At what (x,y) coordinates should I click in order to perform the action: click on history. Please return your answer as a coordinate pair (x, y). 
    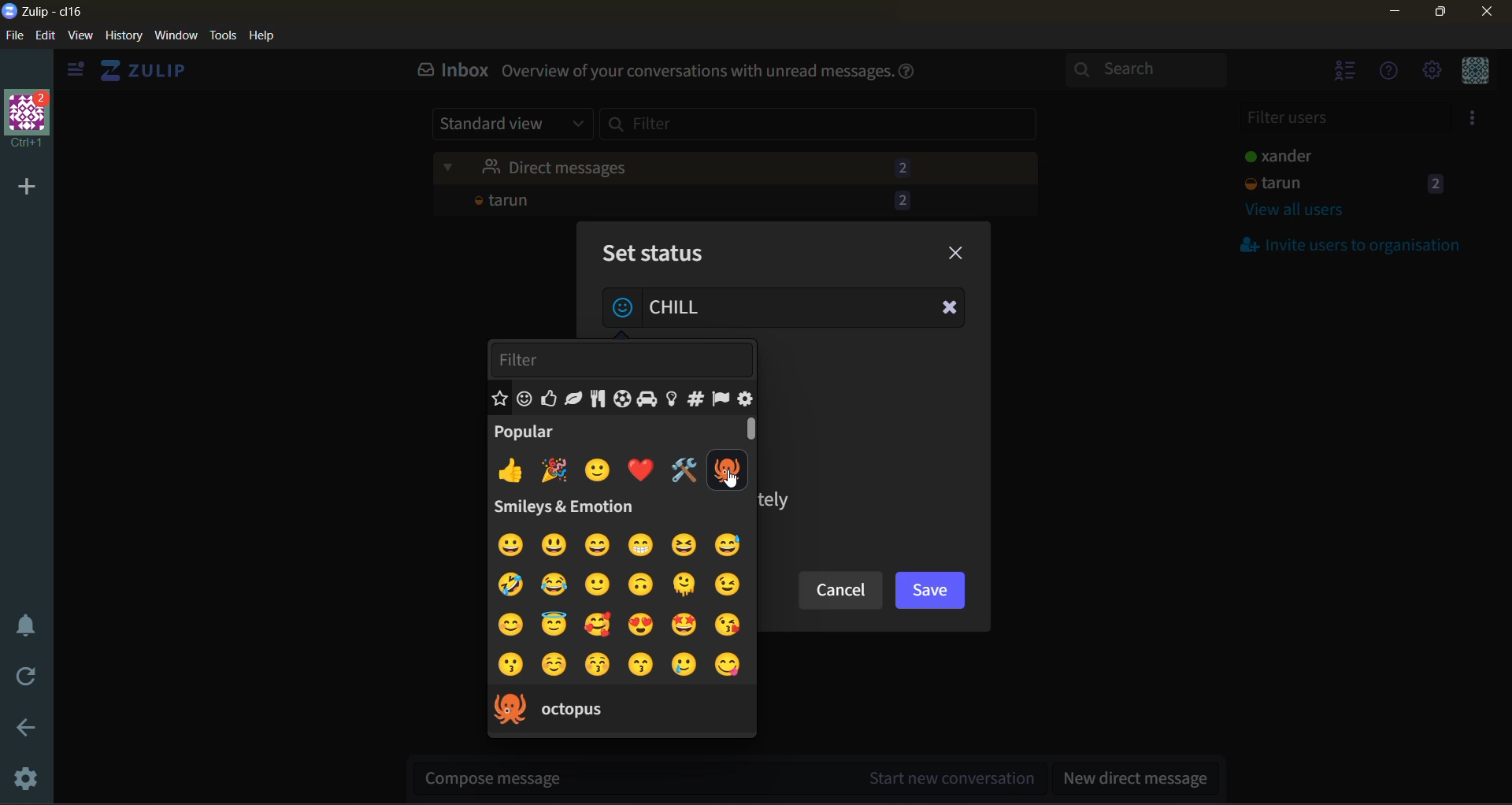
    Looking at the image, I should click on (123, 36).